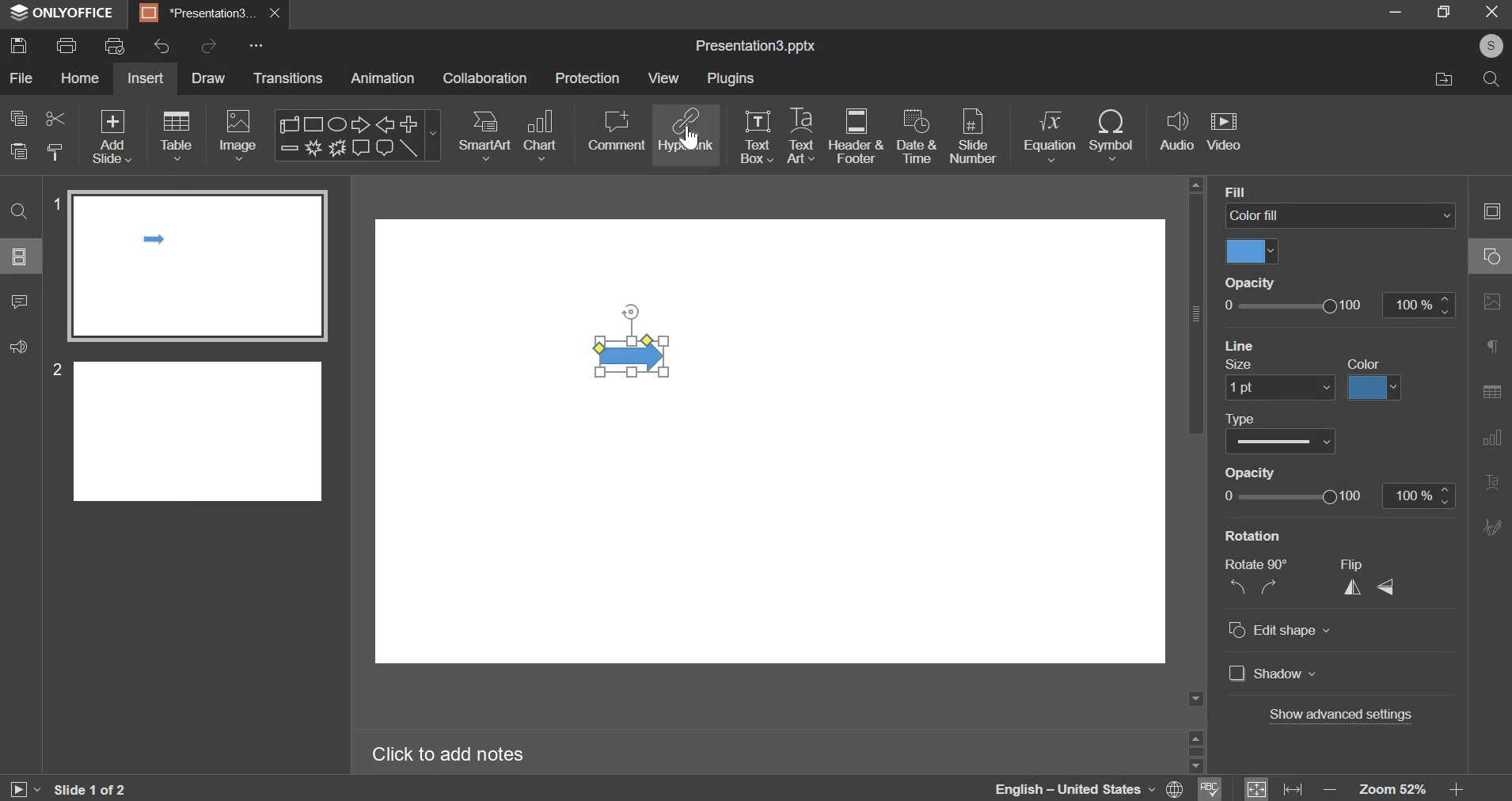  What do you see at coordinates (587, 78) in the screenshot?
I see `protection` at bounding box center [587, 78].